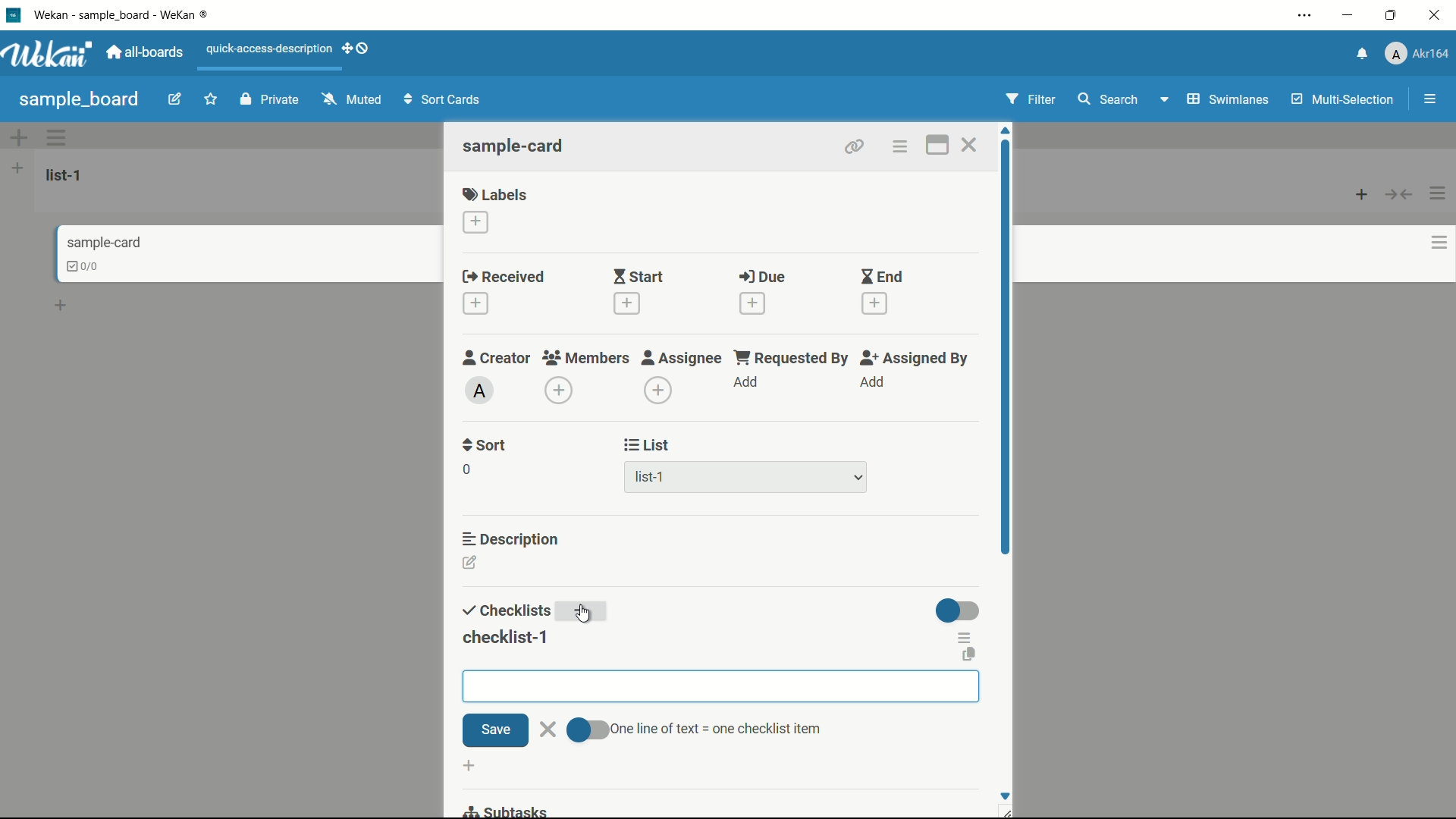 This screenshot has width=1456, height=819. What do you see at coordinates (350, 100) in the screenshot?
I see `muted` at bounding box center [350, 100].